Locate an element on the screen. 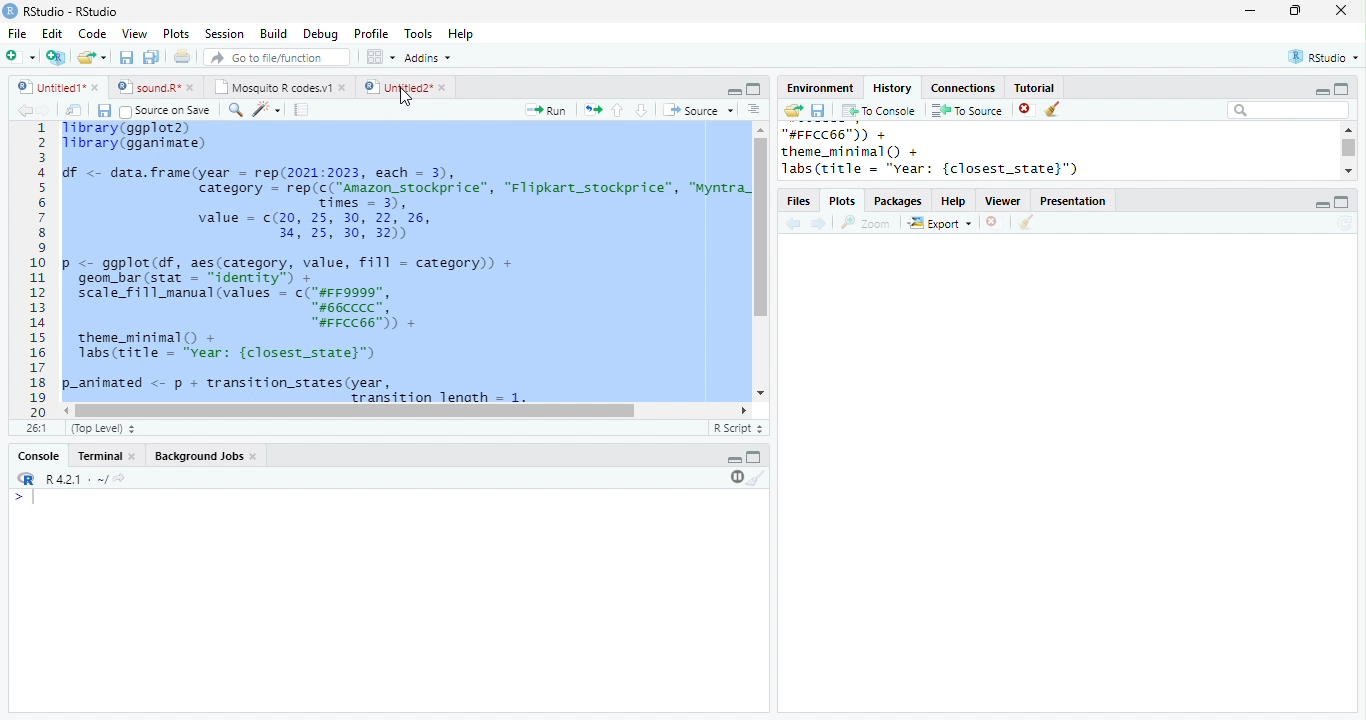 The width and height of the screenshot is (1366, 720). Connections is located at coordinates (965, 88).